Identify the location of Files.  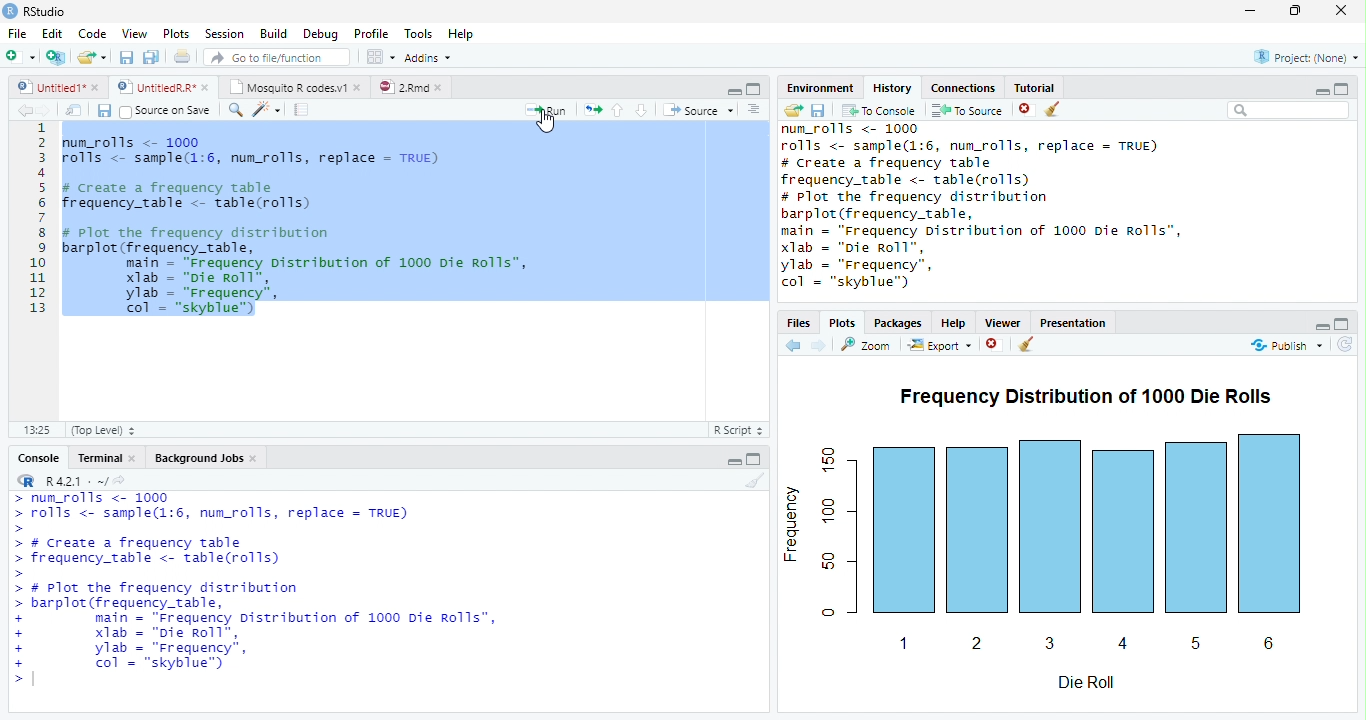
(798, 321).